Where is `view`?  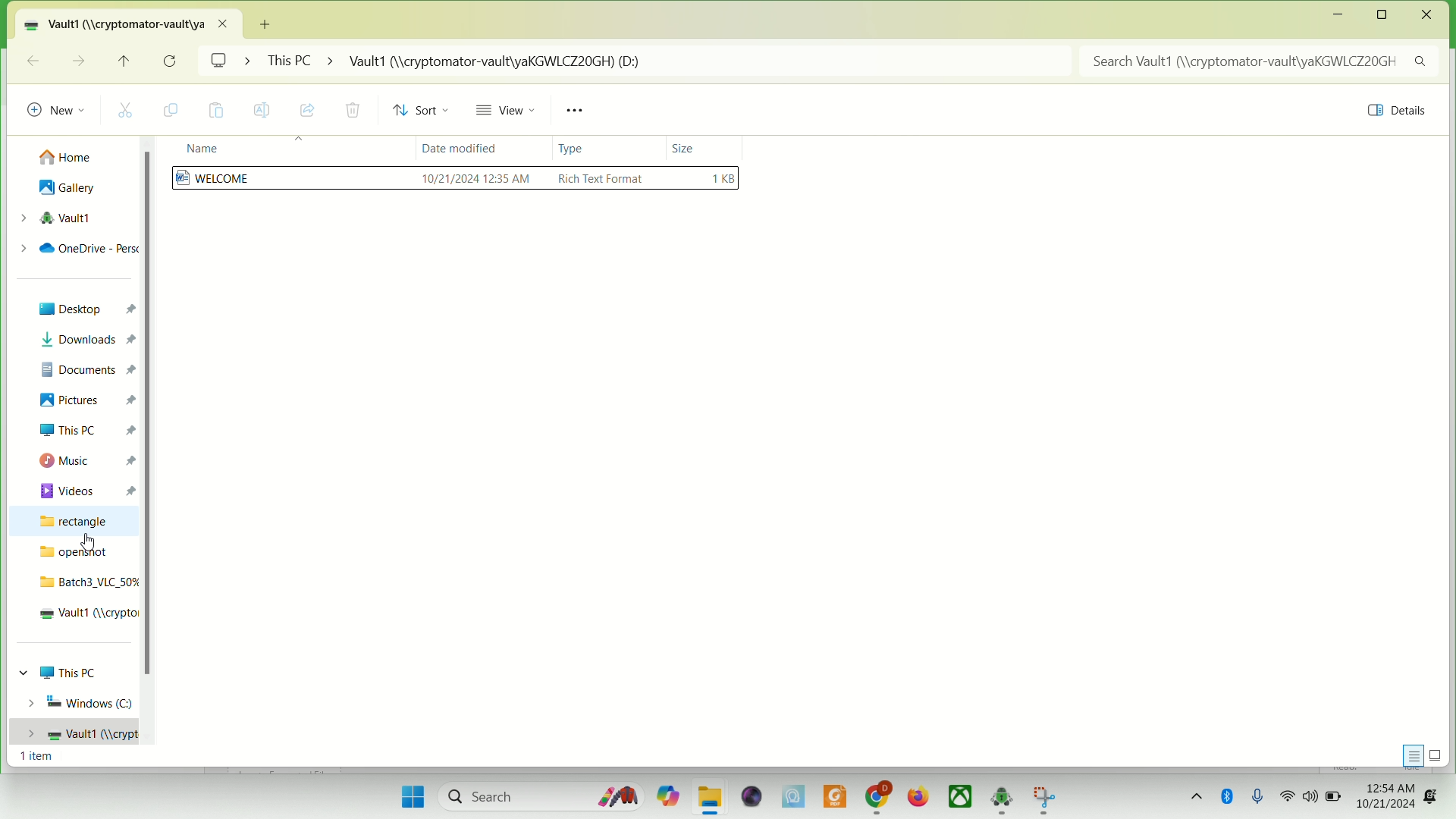
view is located at coordinates (510, 113).